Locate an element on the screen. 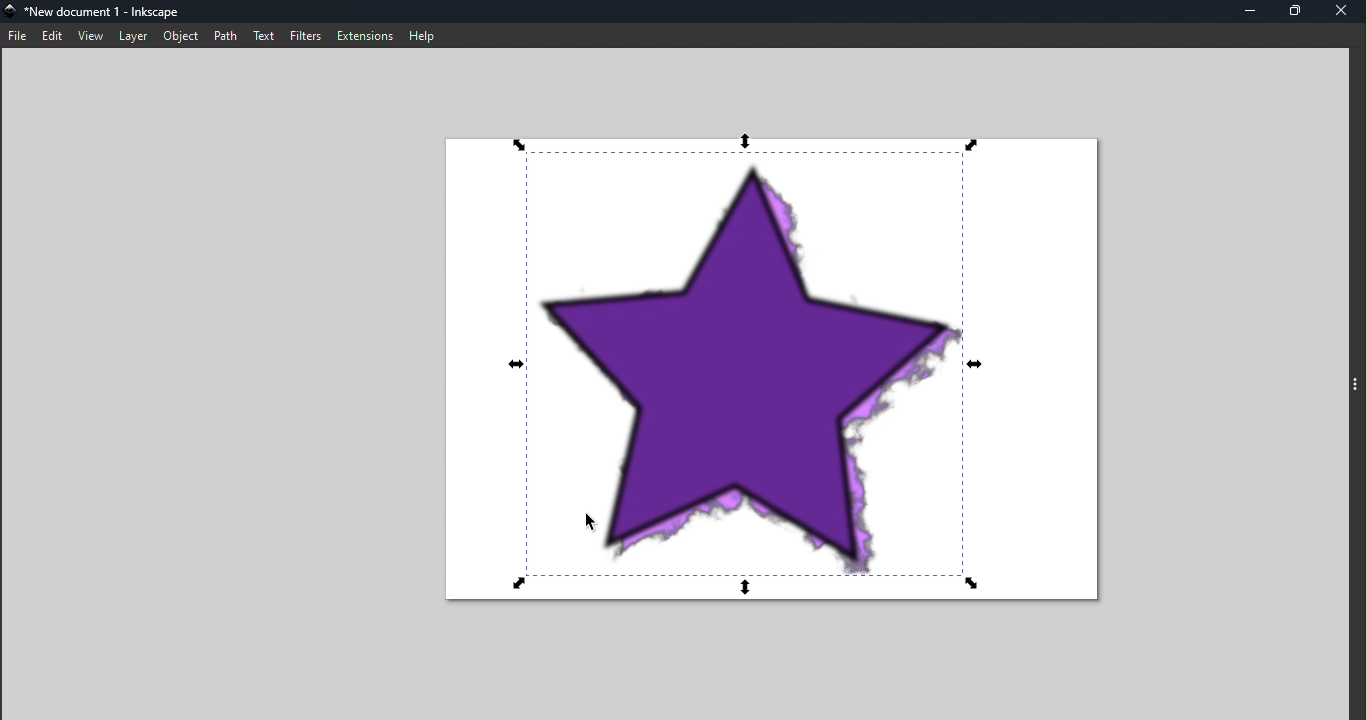 This screenshot has width=1366, height=720. Maximize is located at coordinates (1296, 12).